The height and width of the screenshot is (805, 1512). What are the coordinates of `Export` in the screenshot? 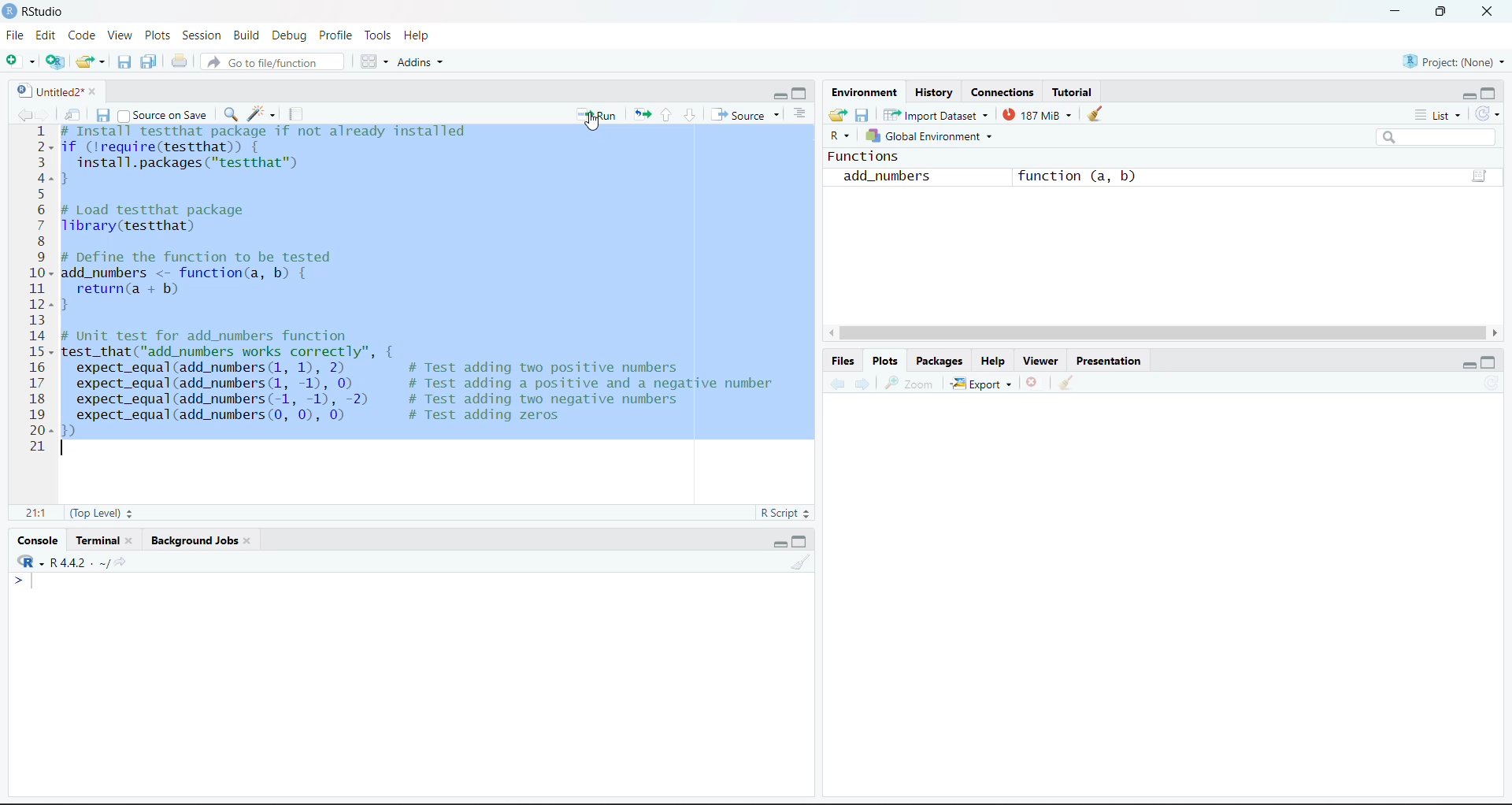 It's located at (983, 384).